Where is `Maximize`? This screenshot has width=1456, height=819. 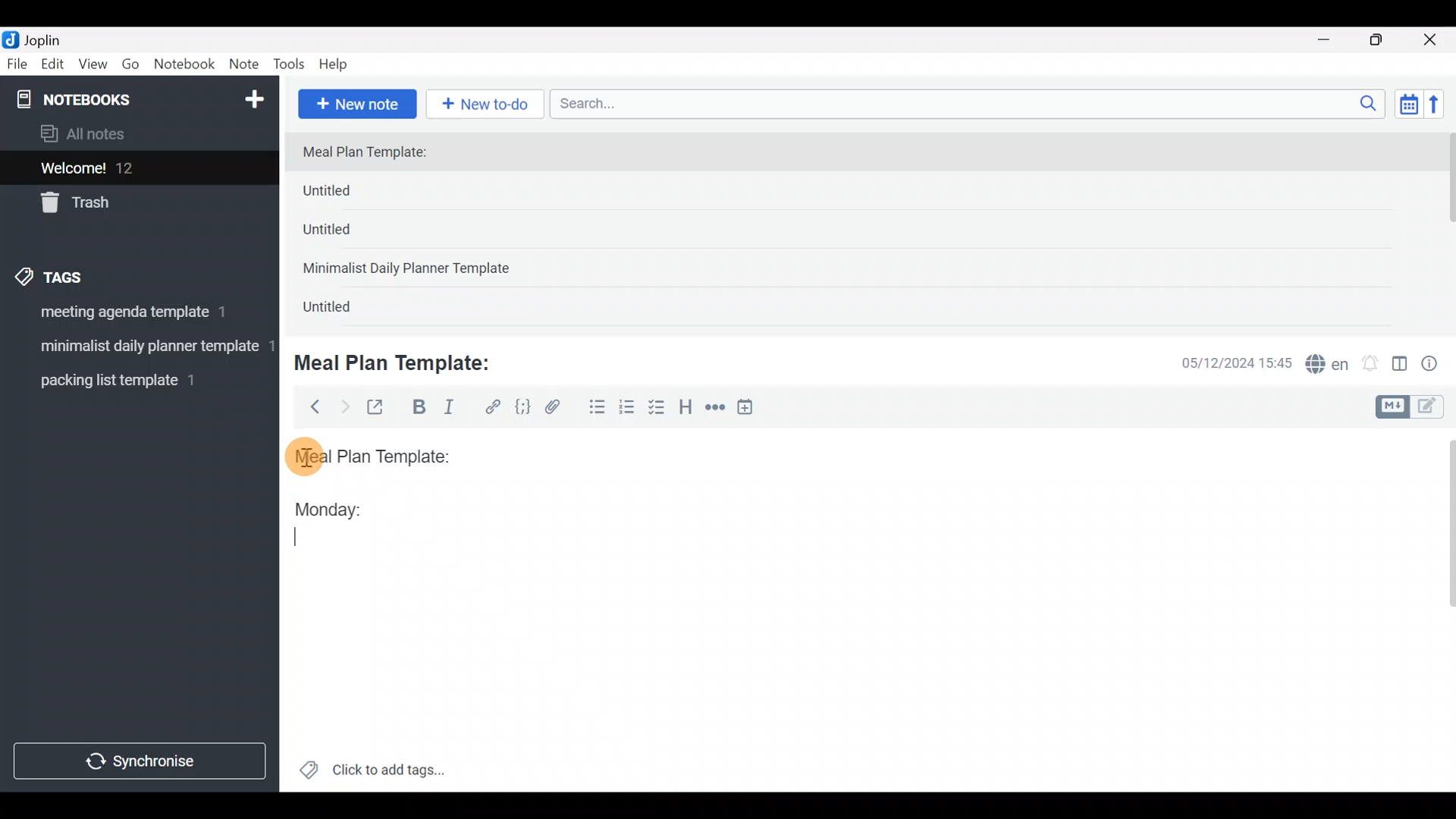 Maximize is located at coordinates (1385, 40).